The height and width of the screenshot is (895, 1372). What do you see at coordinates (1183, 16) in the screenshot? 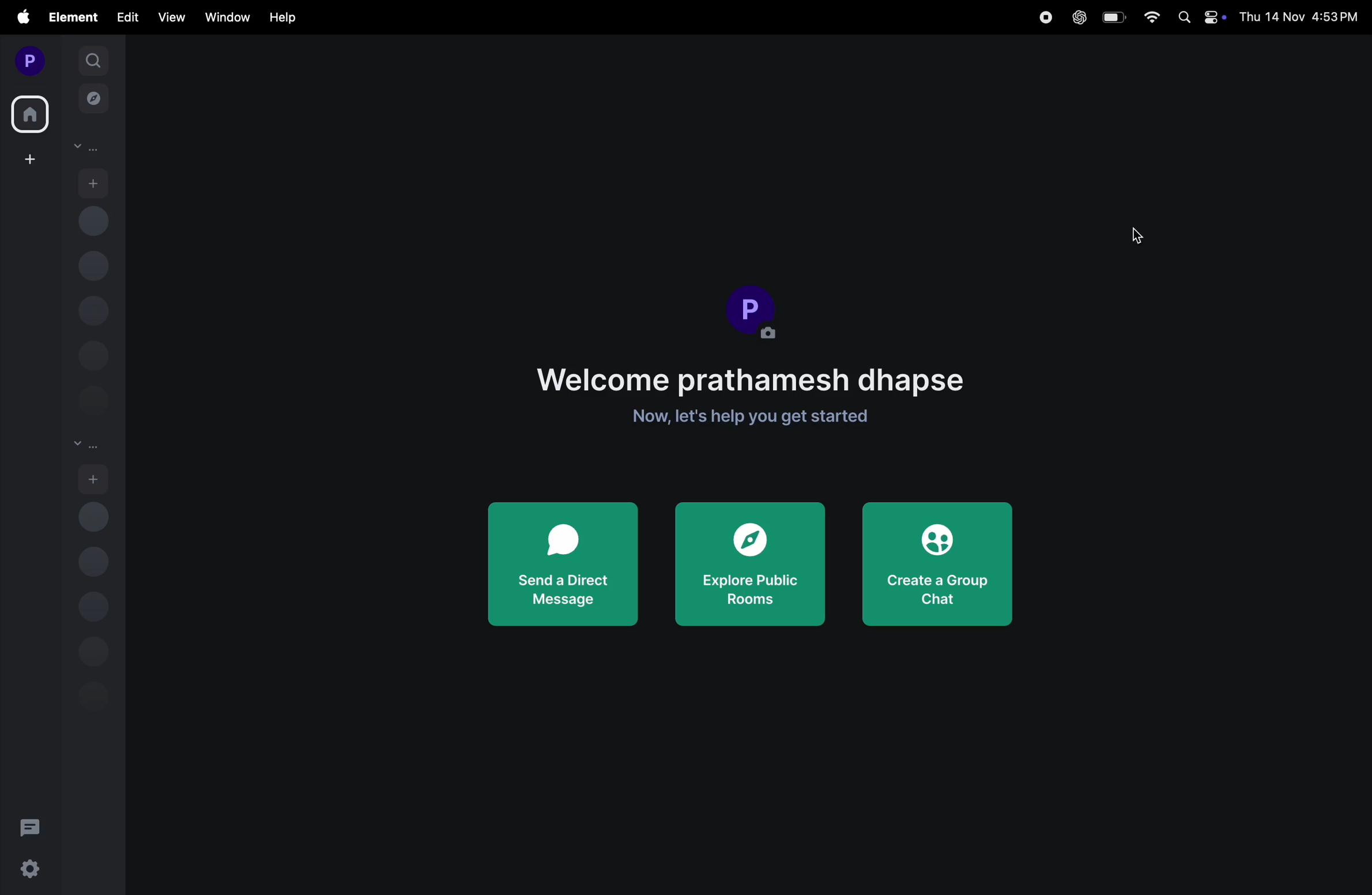
I see `spotlight search` at bounding box center [1183, 16].